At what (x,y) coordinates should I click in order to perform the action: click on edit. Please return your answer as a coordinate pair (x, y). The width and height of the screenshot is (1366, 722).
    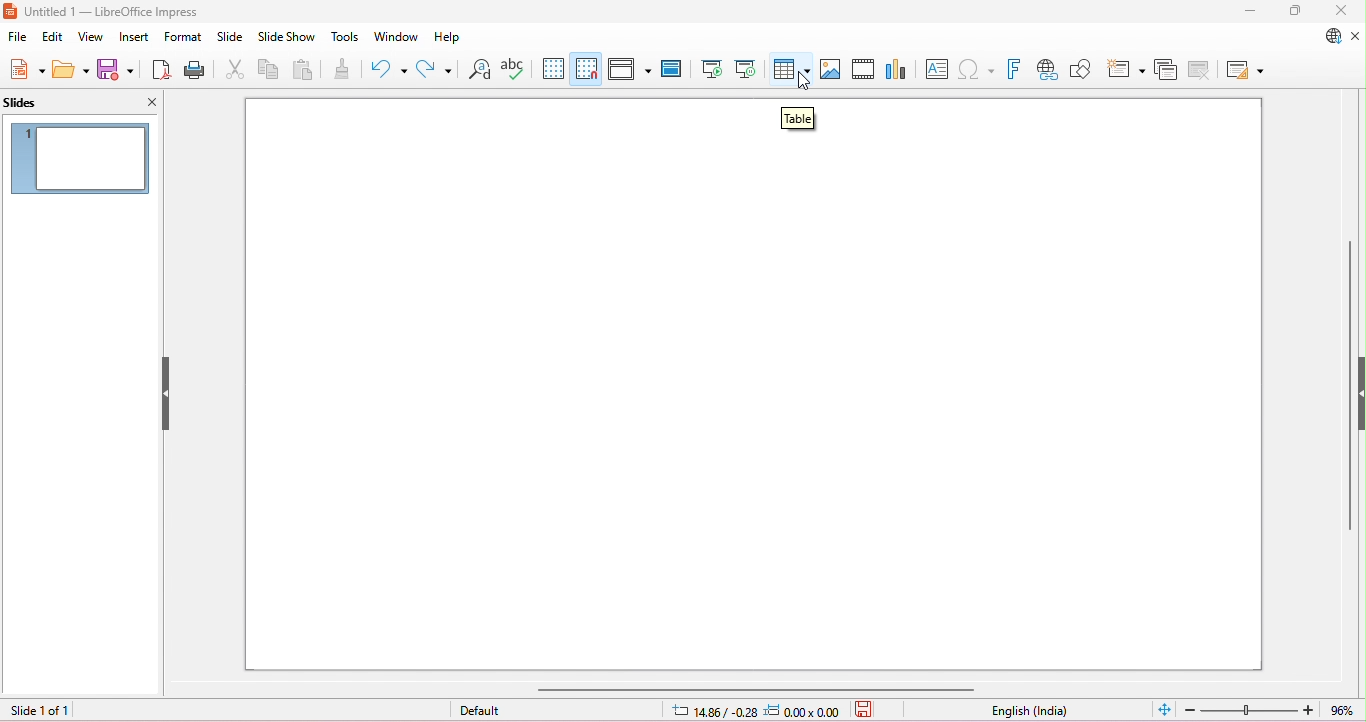
    Looking at the image, I should click on (54, 37).